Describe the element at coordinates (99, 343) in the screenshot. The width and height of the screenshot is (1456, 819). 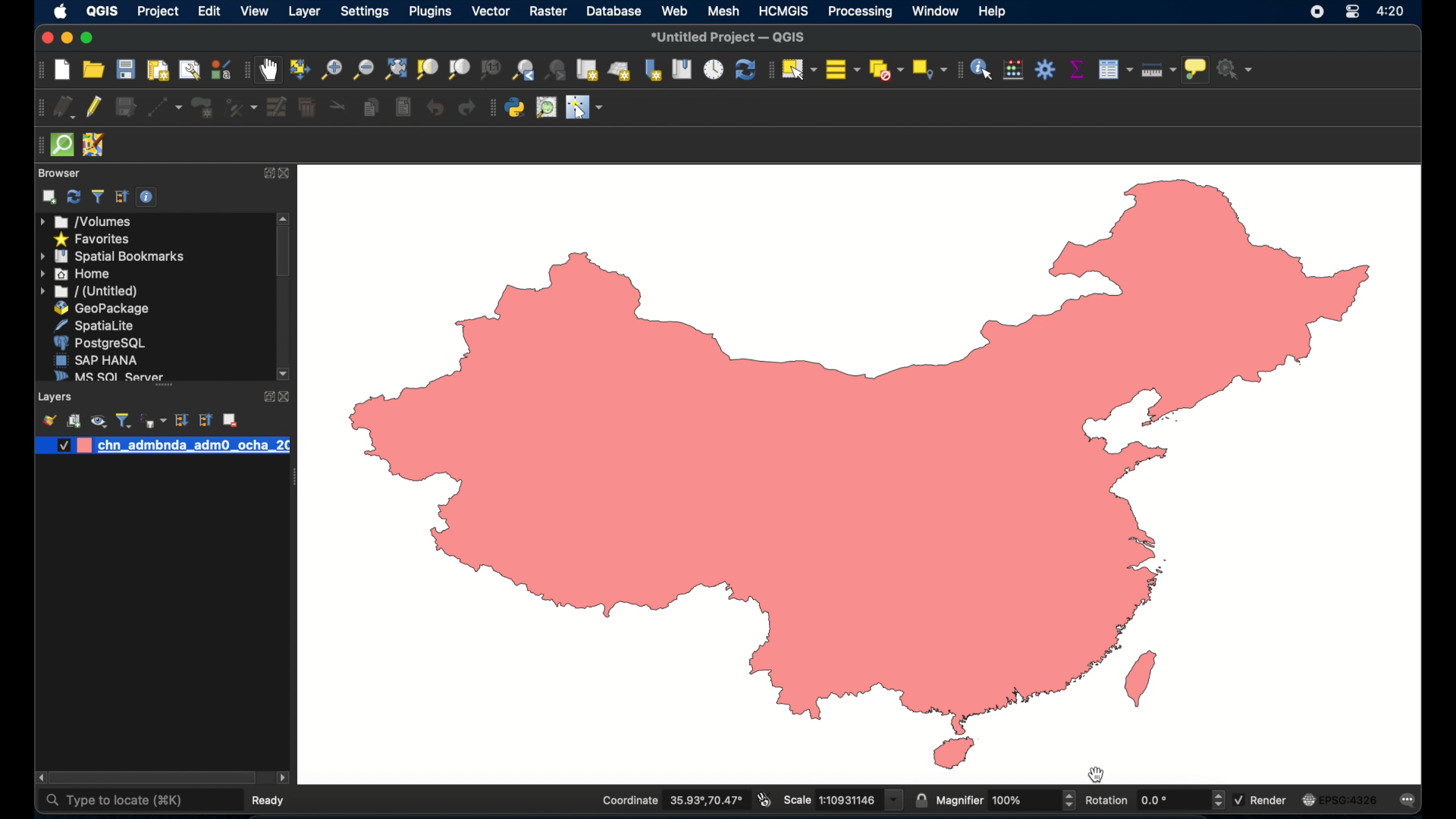
I see `postgre sql` at that location.